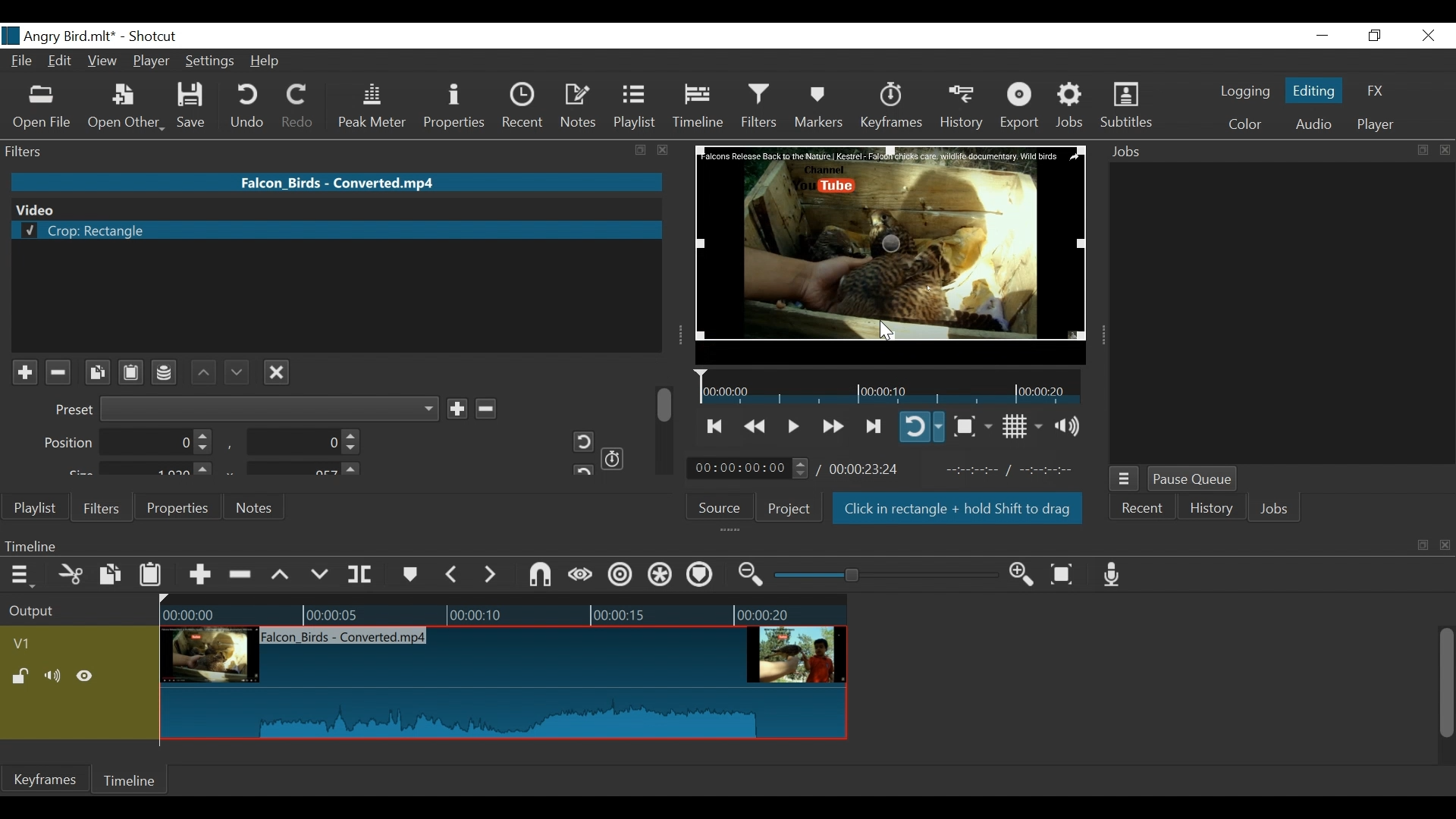  What do you see at coordinates (578, 441) in the screenshot?
I see `Restart` at bounding box center [578, 441].